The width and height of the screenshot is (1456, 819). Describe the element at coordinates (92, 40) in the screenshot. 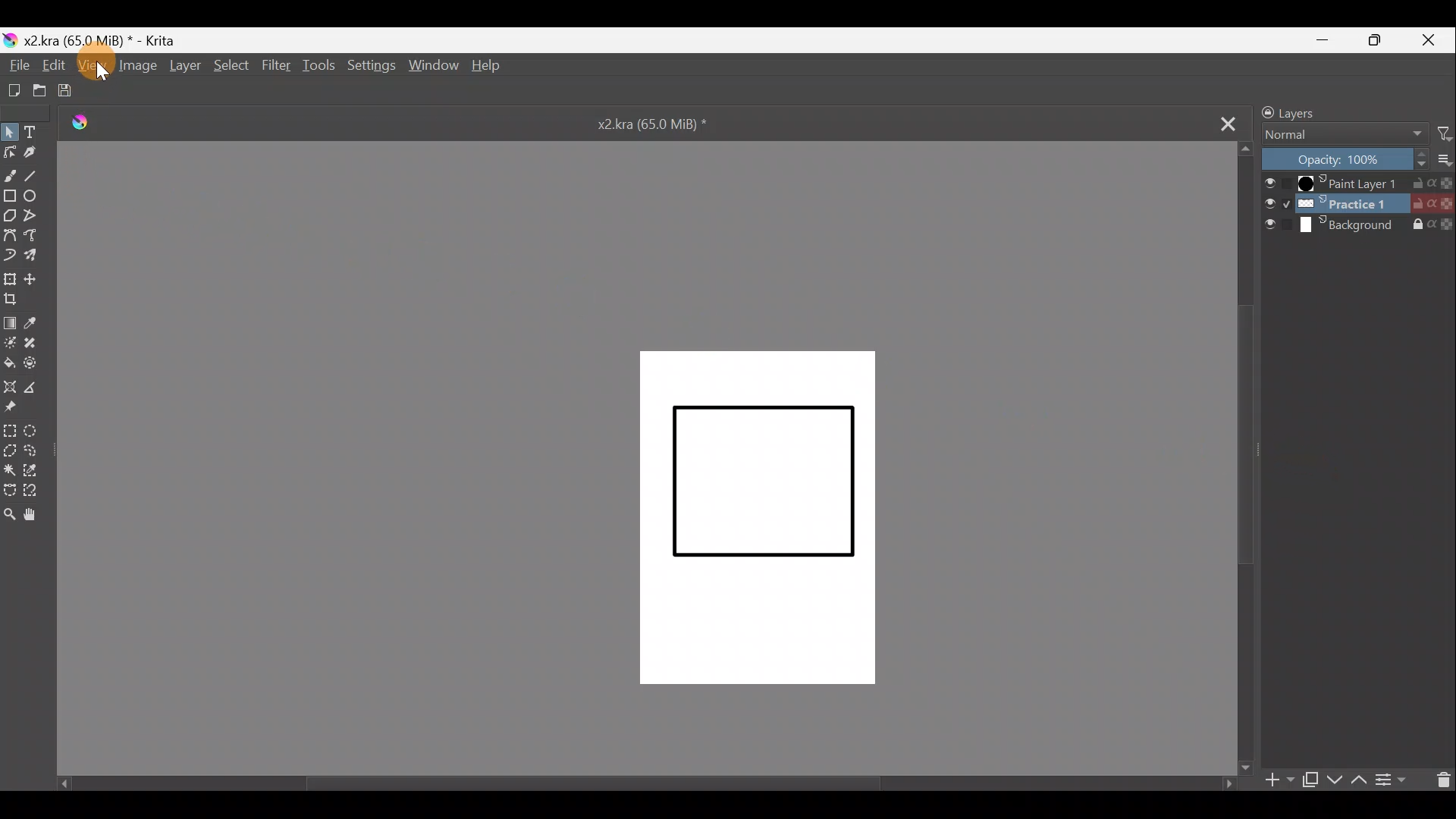

I see `x2.kra` at that location.